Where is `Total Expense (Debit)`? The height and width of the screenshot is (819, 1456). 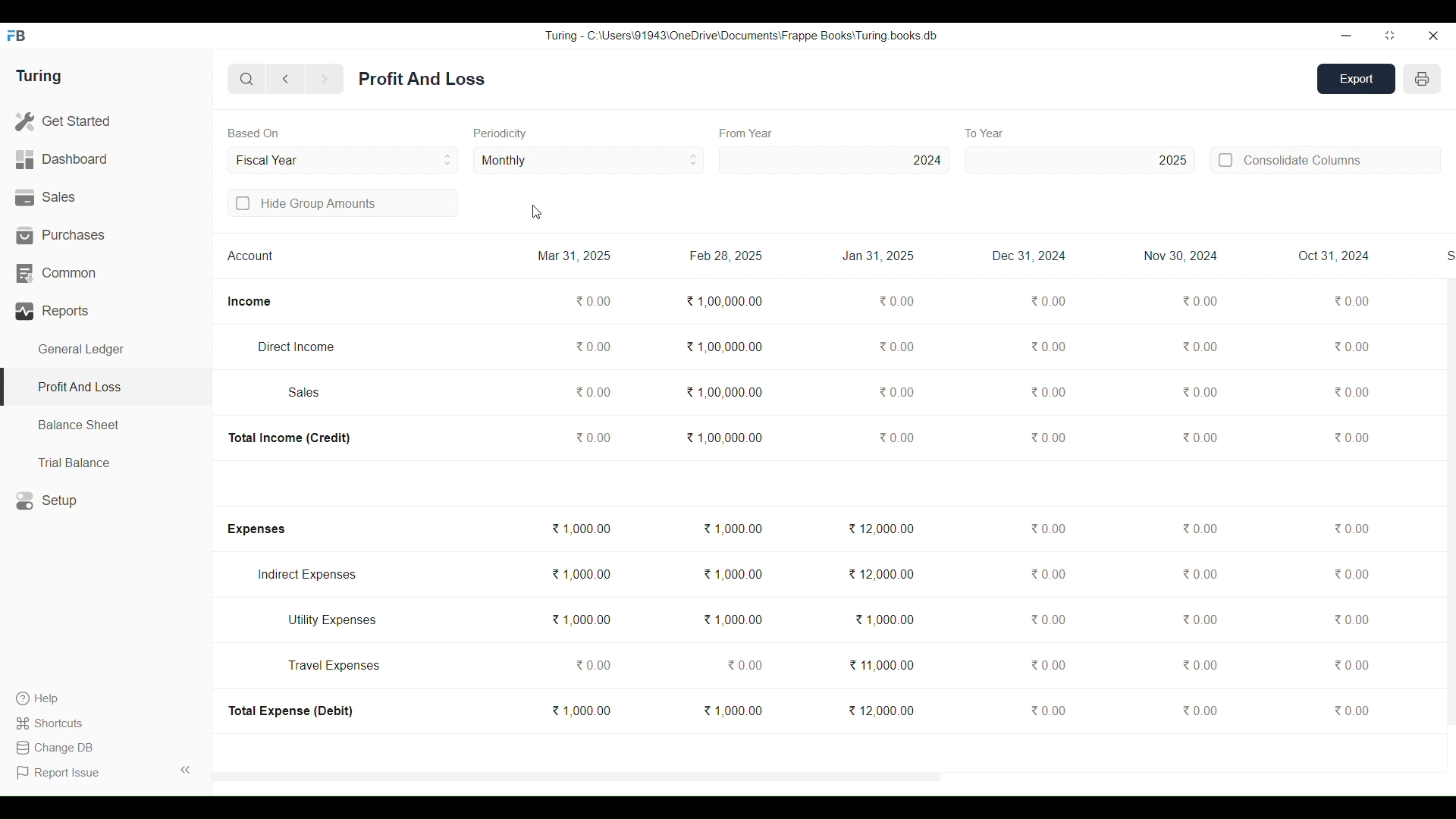
Total Expense (Debit) is located at coordinates (292, 711).